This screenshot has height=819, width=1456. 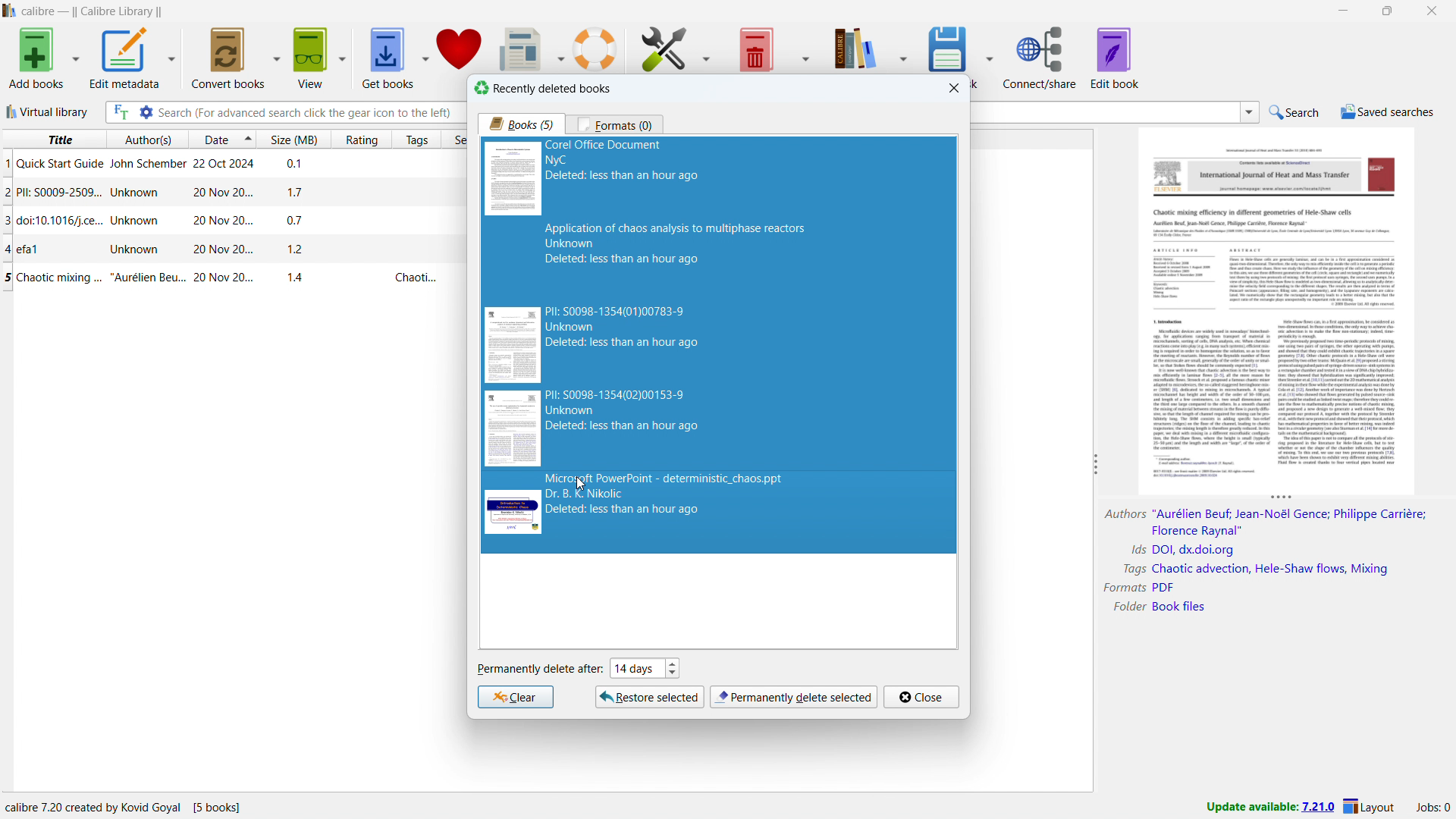 What do you see at coordinates (36, 58) in the screenshot?
I see `add books ` at bounding box center [36, 58].